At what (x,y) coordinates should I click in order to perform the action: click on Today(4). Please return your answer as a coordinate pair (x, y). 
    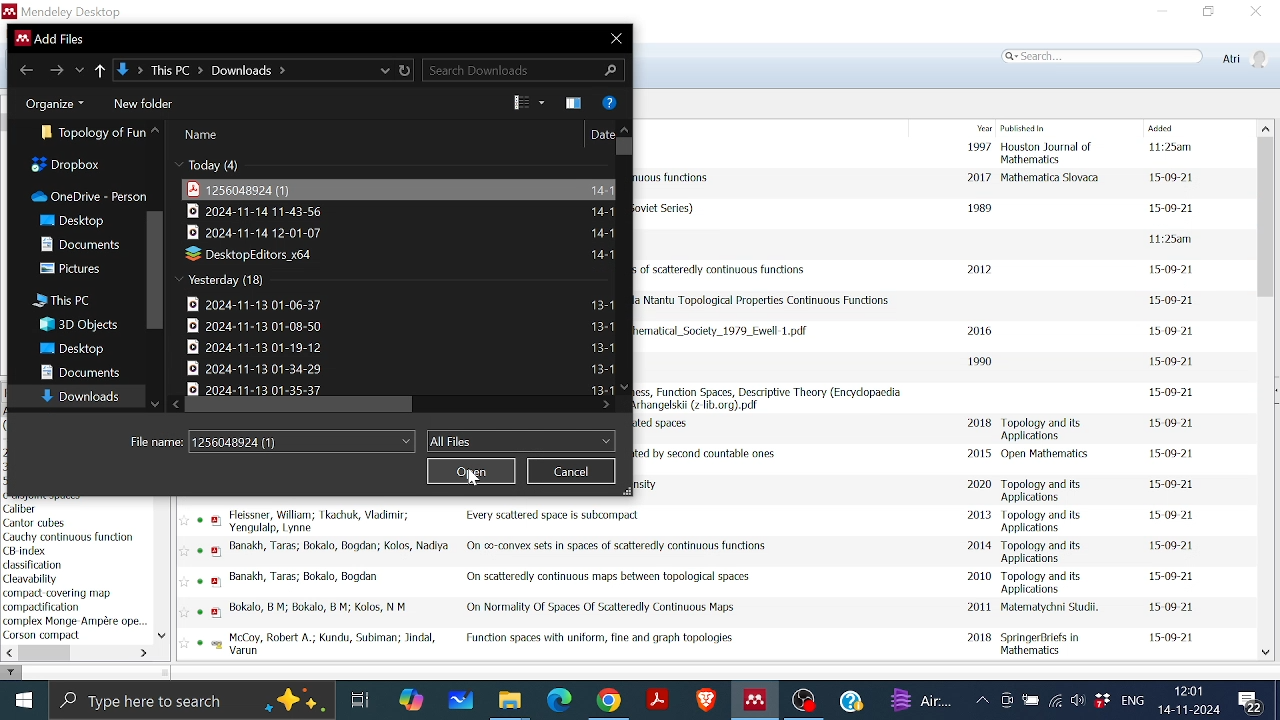
    Looking at the image, I should click on (208, 166).